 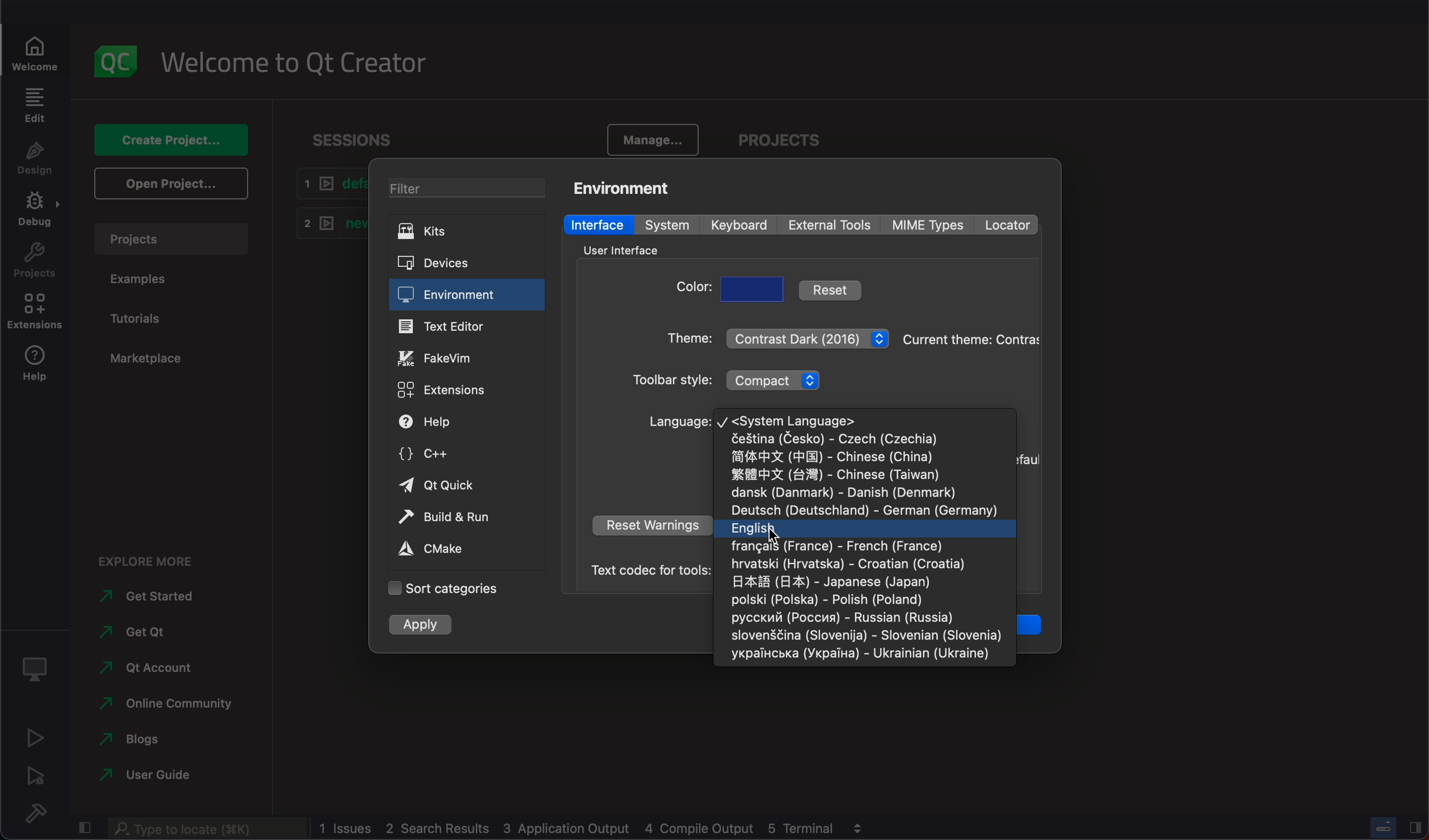 What do you see at coordinates (1383, 825) in the screenshot?
I see `progress bar` at bounding box center [1383, 825].